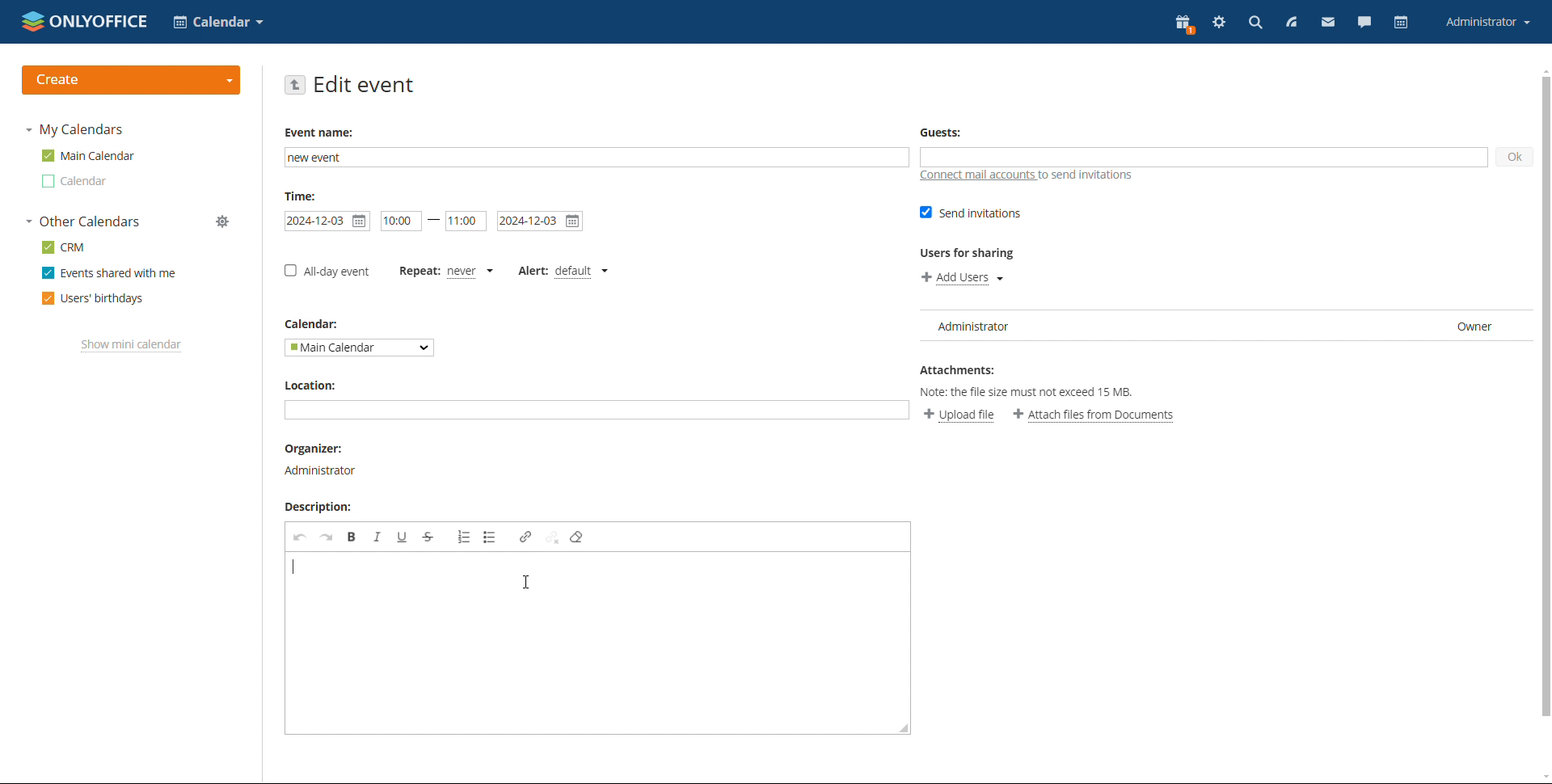  I want to click on scroll up, so click(1542, 70).